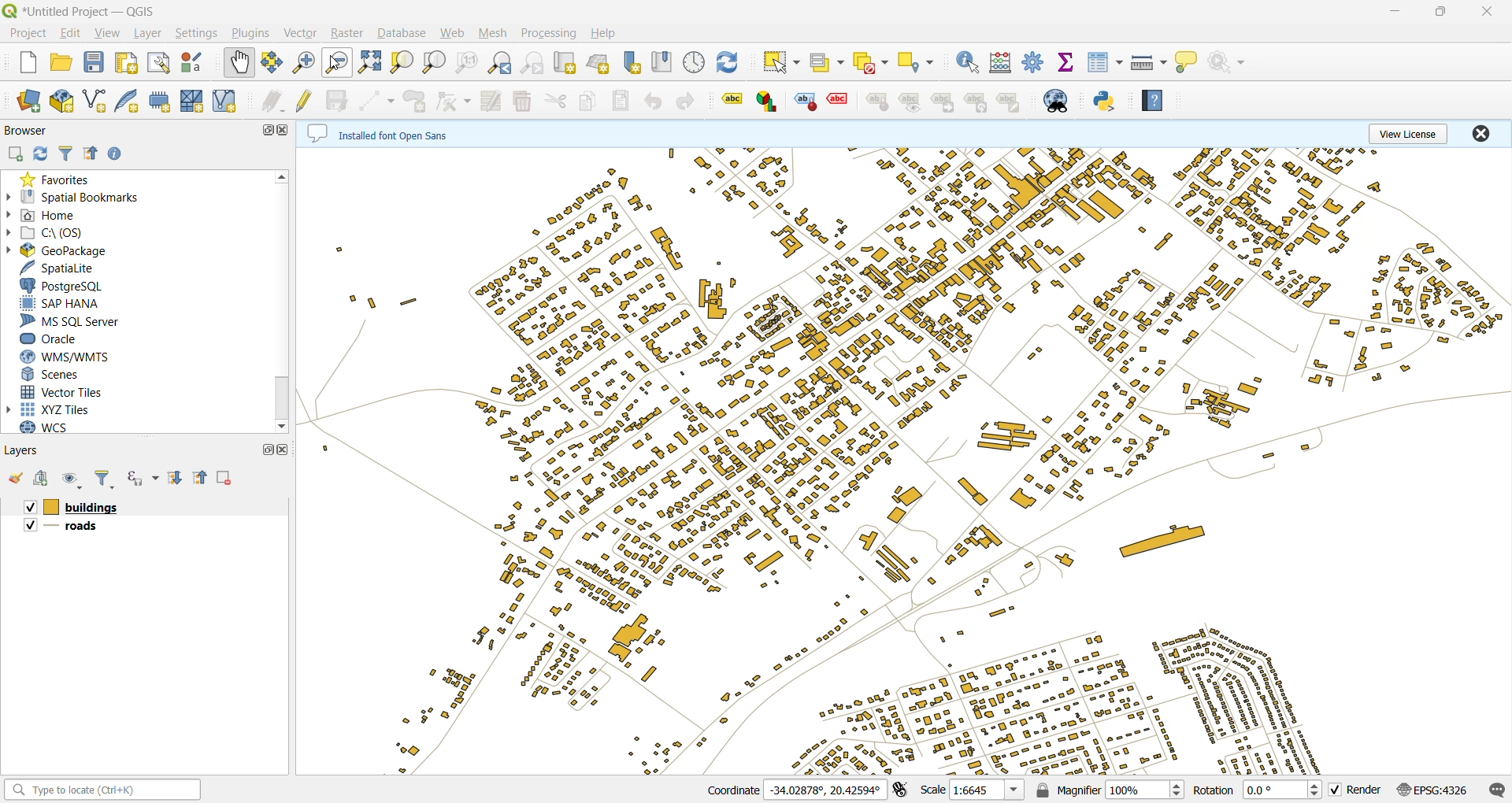 The height and width of the screenshot is (803, 1512). Describe the element at coordinates (72, 481) in the screenshot. I see `manage map` at that location.